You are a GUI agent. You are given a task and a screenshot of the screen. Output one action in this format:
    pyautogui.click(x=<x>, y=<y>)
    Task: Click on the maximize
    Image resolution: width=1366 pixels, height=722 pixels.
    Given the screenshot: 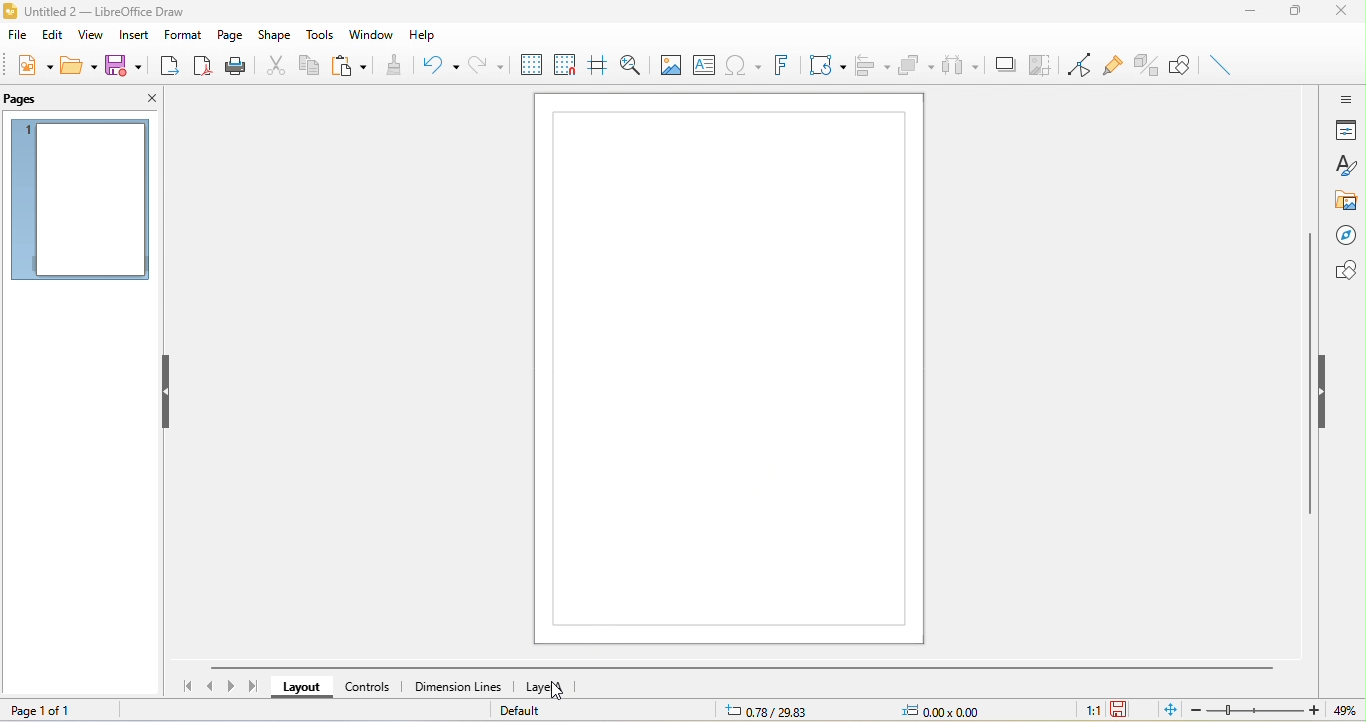 What is the action you would take?
    pyautogui.click(x=1294, y=13)
    